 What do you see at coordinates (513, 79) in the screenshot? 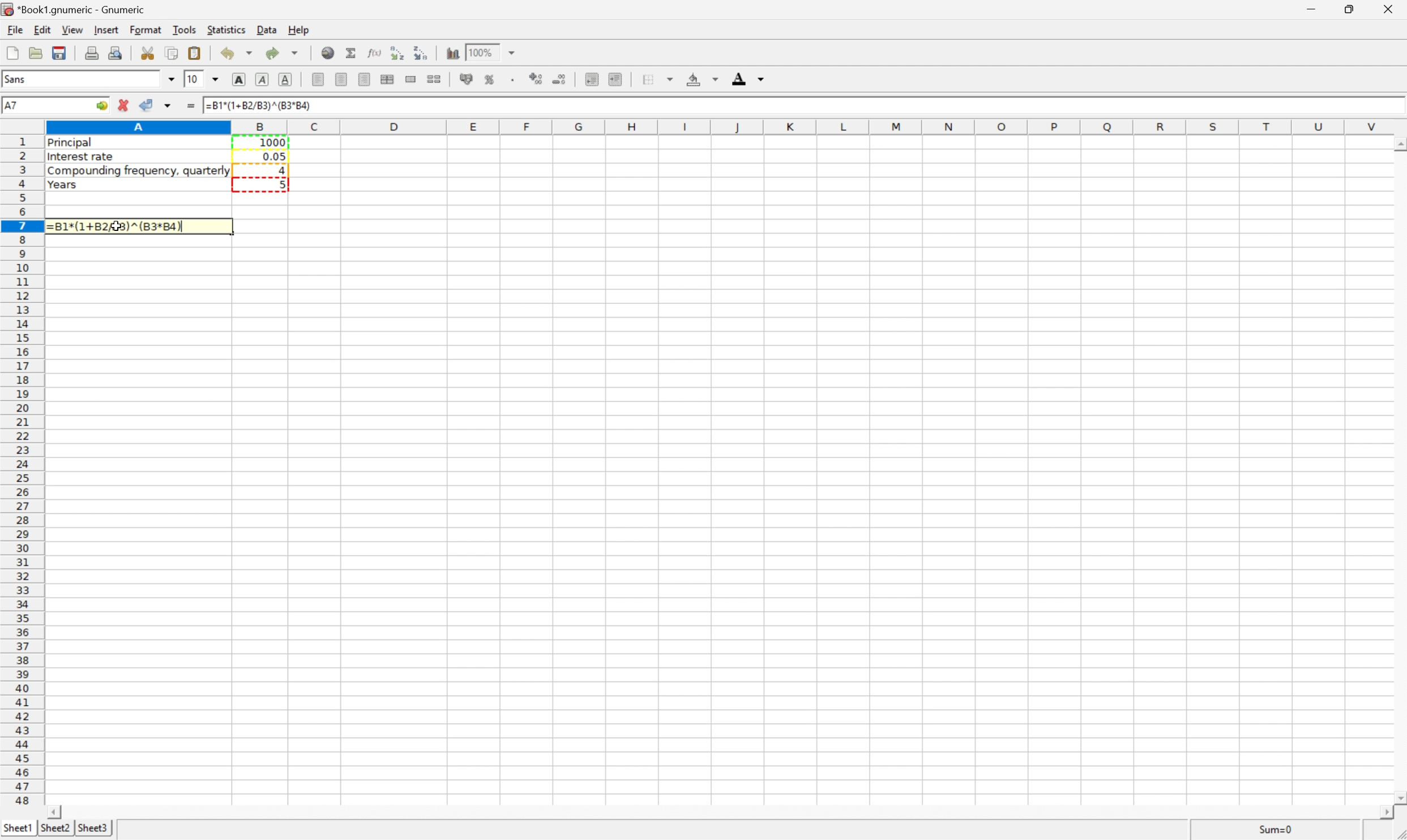
I see `Set the format of the selected cells to include a thousands separator` at bounding box center [513, 79].